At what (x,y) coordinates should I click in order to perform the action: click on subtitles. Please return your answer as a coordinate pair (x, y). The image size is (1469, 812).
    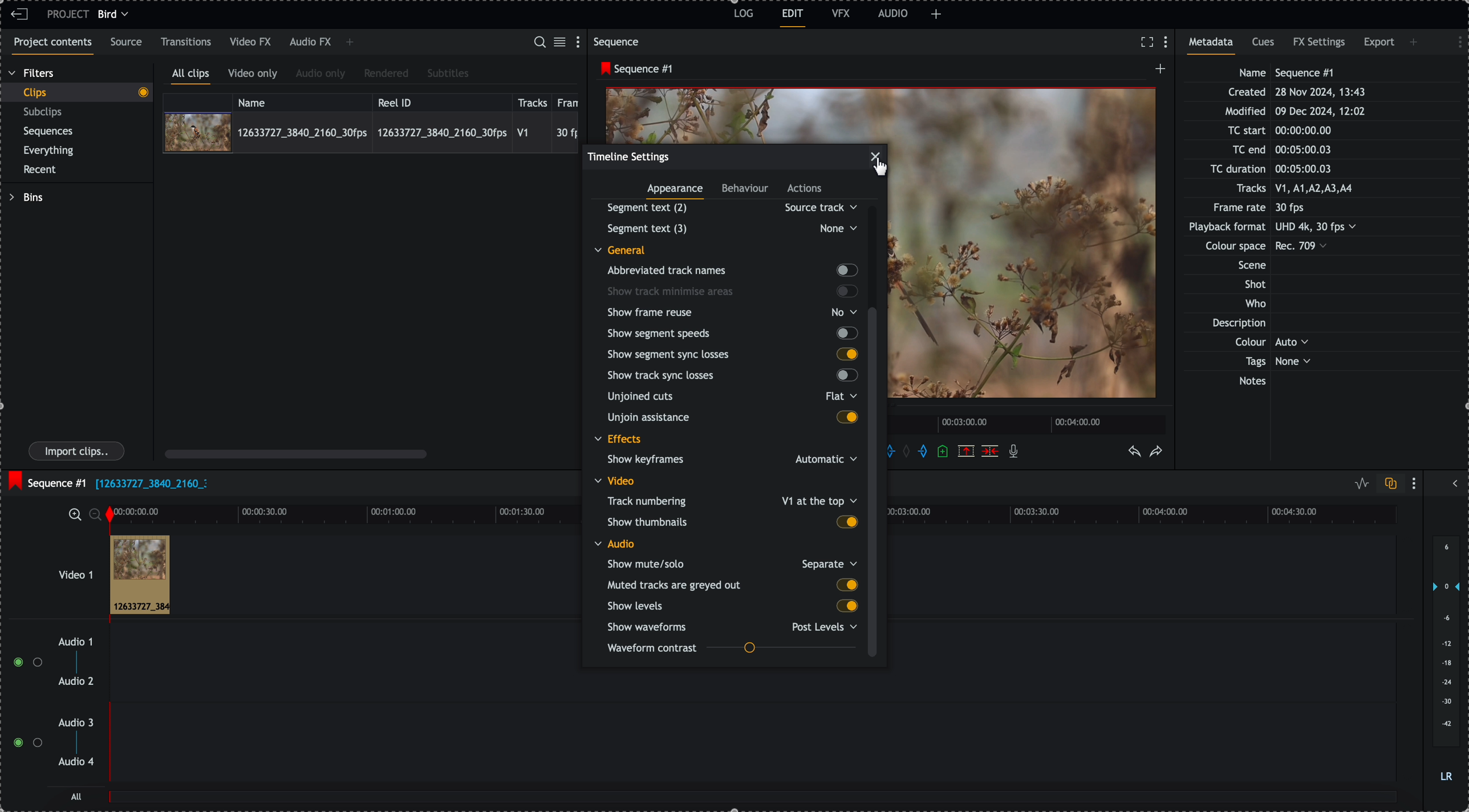
    Looking at the image, I should click on (448, 74).